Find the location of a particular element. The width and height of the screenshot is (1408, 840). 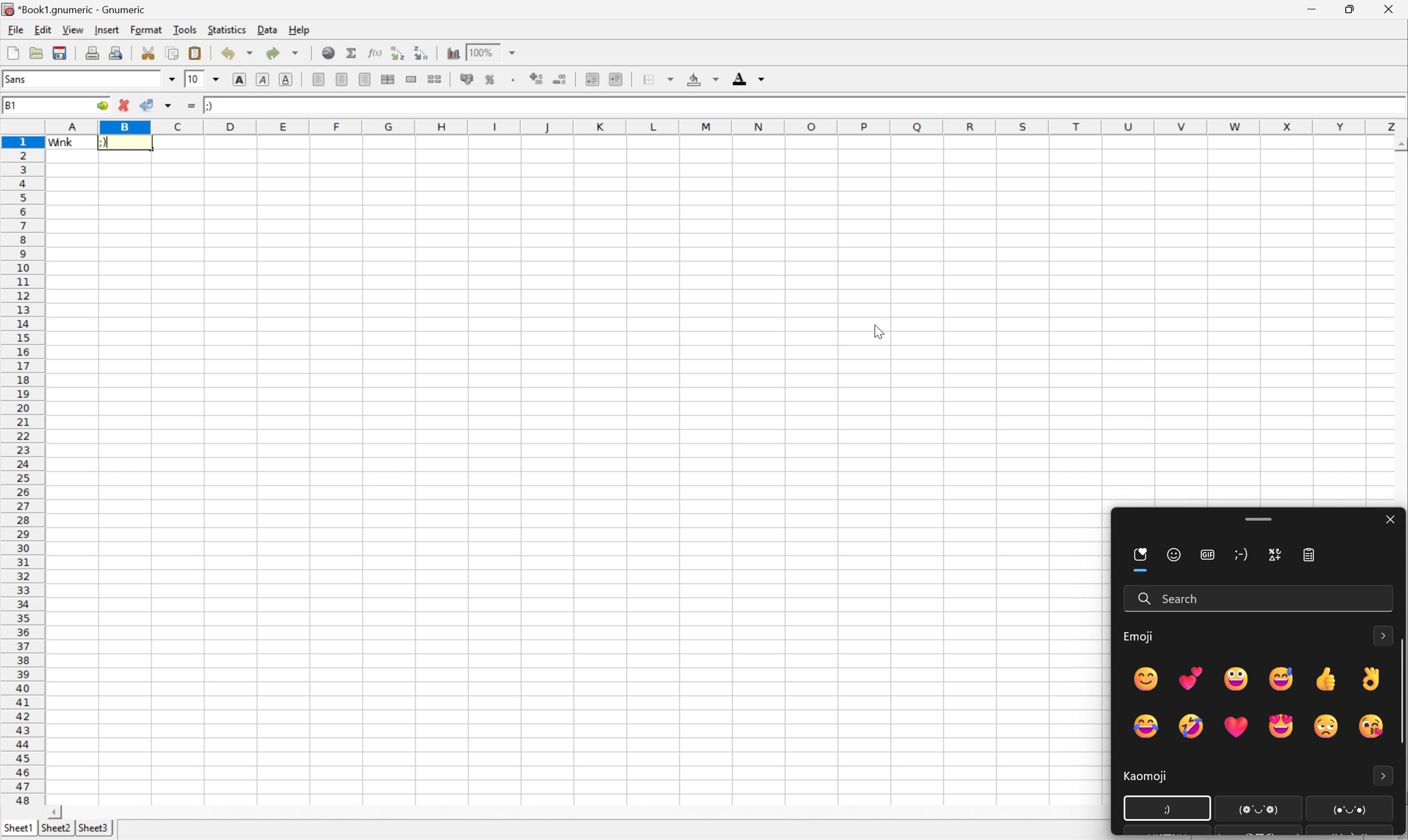

scroll right is located at coordinates (53, 811).